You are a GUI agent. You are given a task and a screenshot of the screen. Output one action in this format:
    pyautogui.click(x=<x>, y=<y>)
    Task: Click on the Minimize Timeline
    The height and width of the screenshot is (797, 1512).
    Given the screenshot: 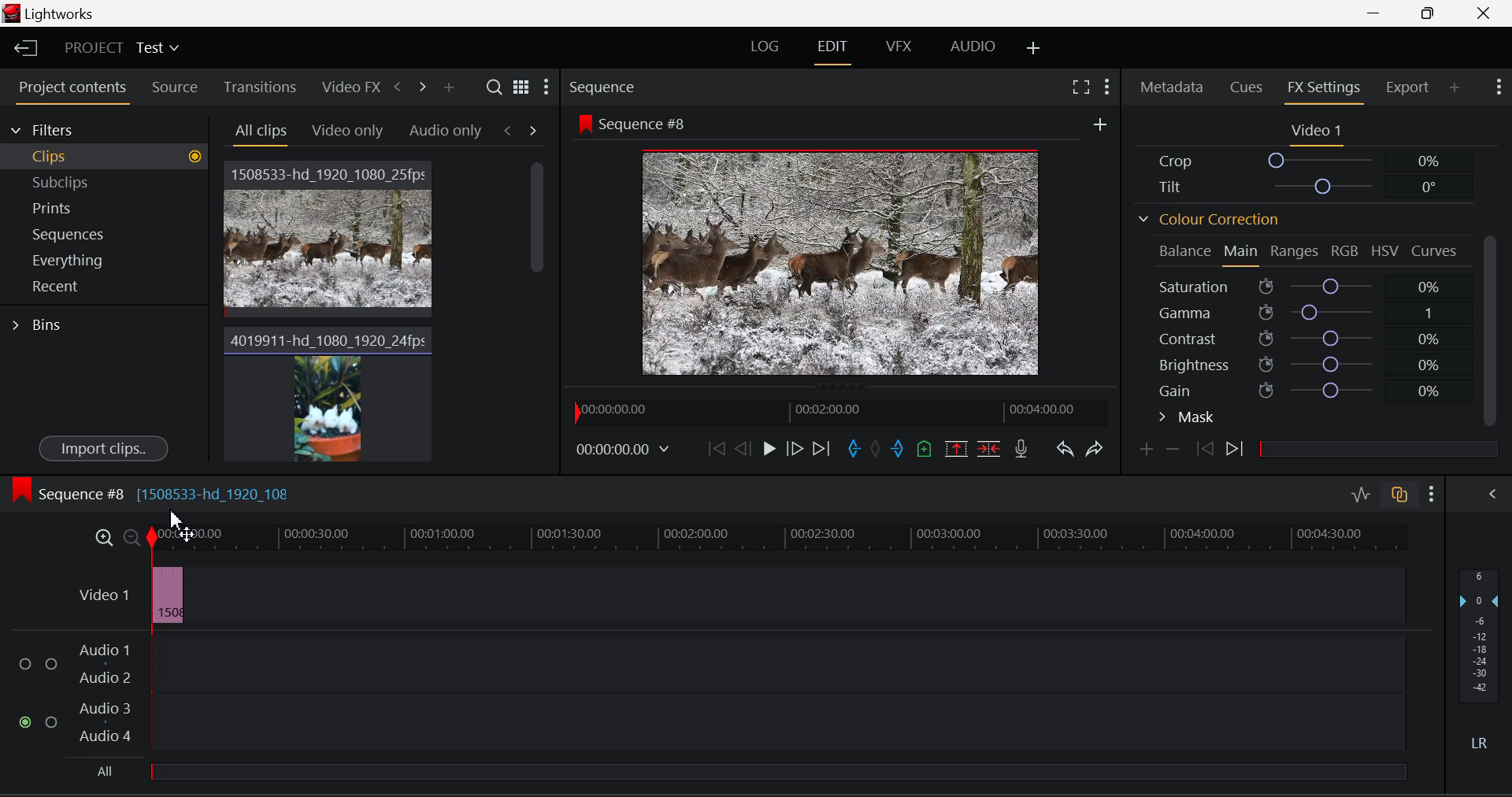 What is the action you would take?
    pyautogui.click(x=131, y=537)
    